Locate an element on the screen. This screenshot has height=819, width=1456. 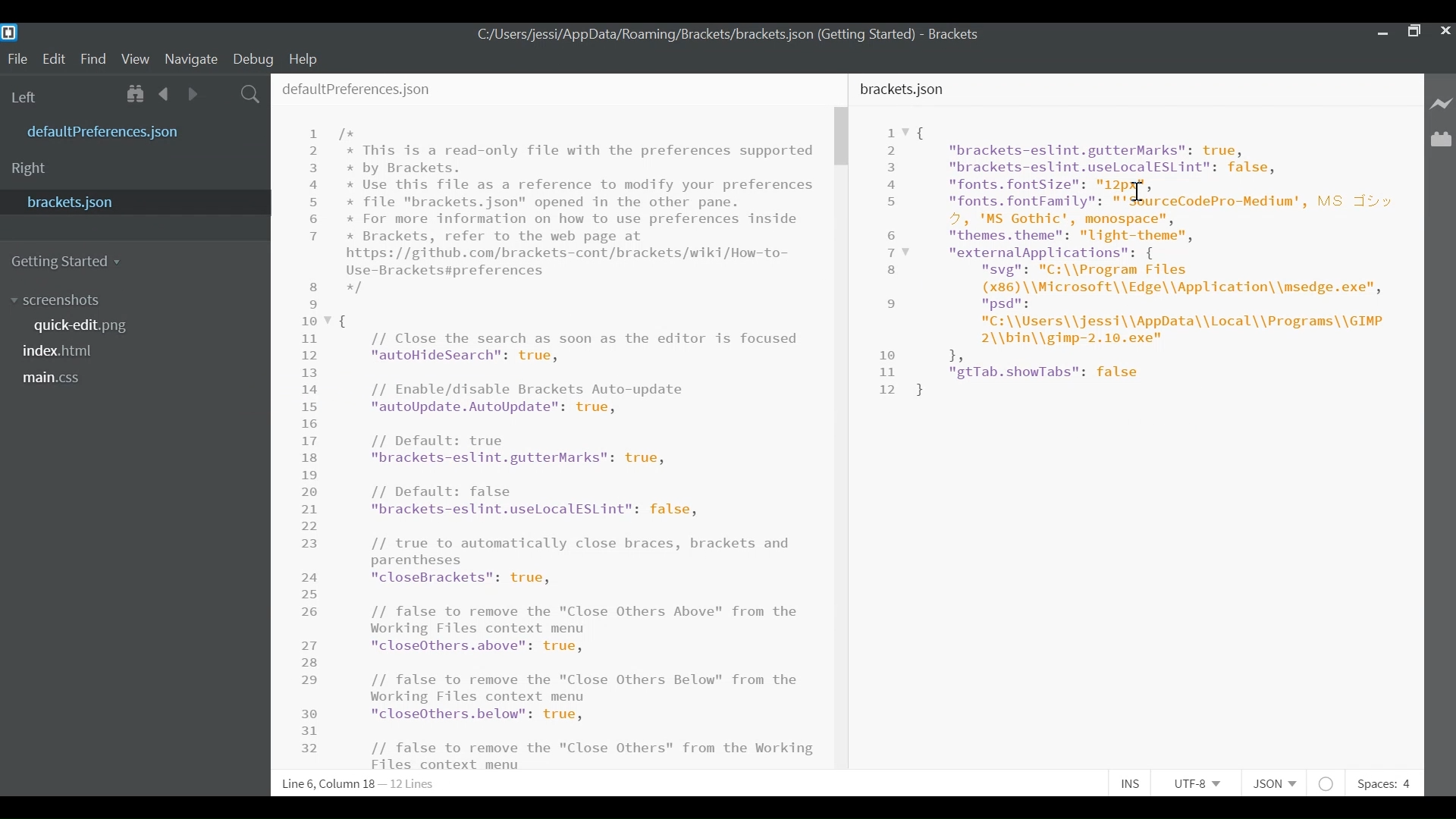
Find in files is located at coordinates (250, 94).